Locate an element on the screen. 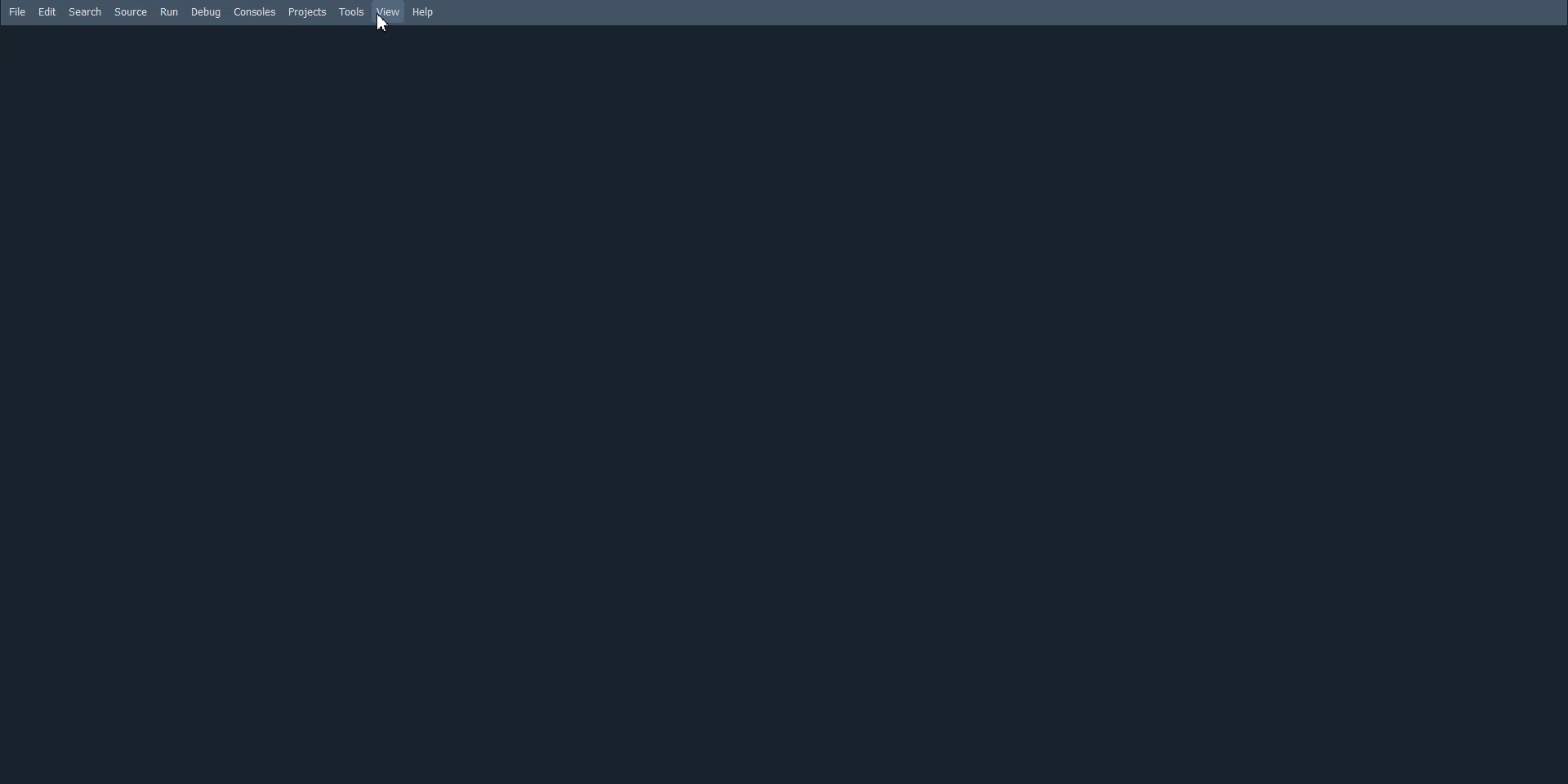  Debug is located at coordinates (206, 12).